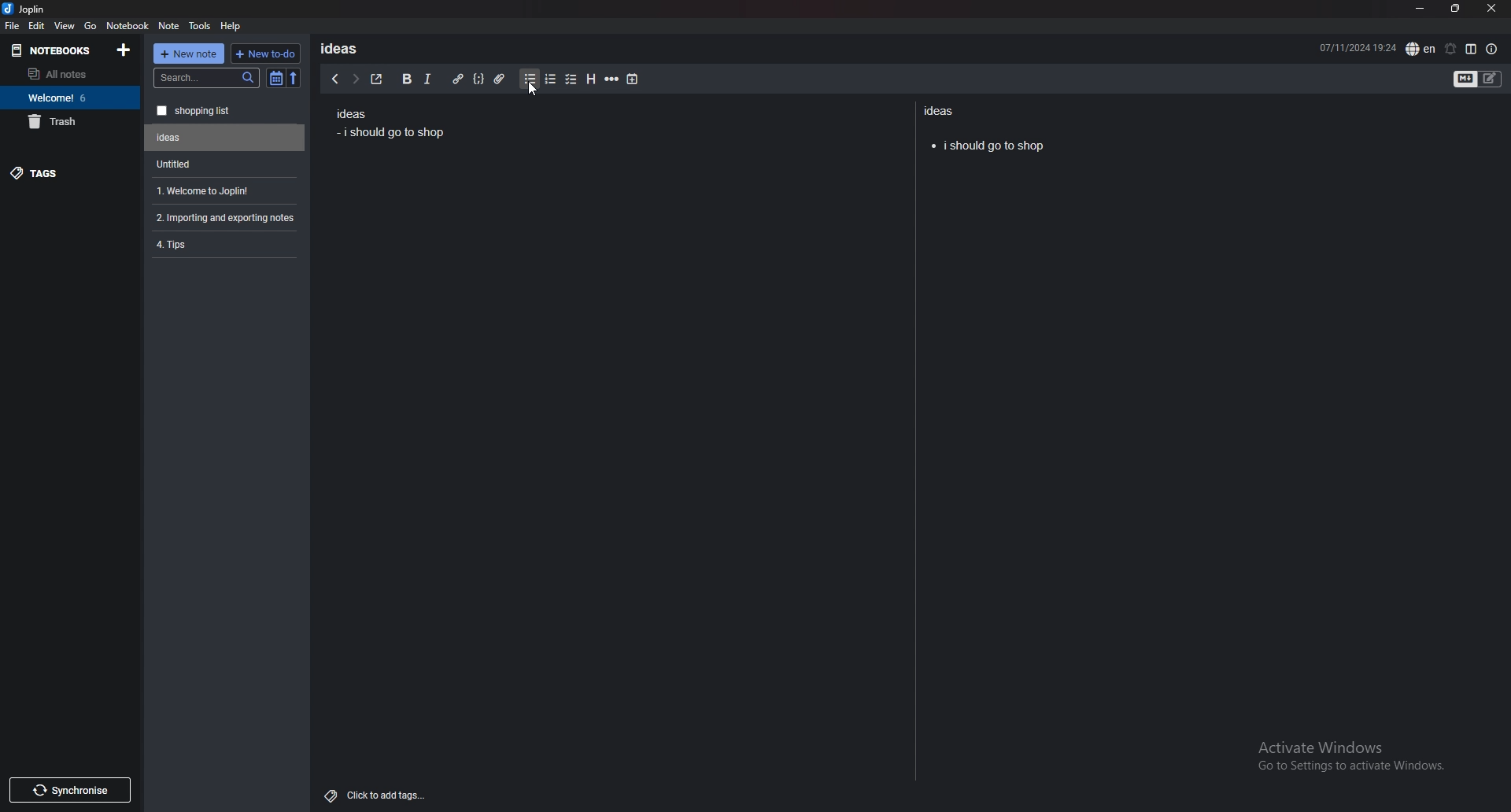  What do you see at coordinates (71, 172) in the screenshot?
I see `tags` at bounding box center [71, 172].